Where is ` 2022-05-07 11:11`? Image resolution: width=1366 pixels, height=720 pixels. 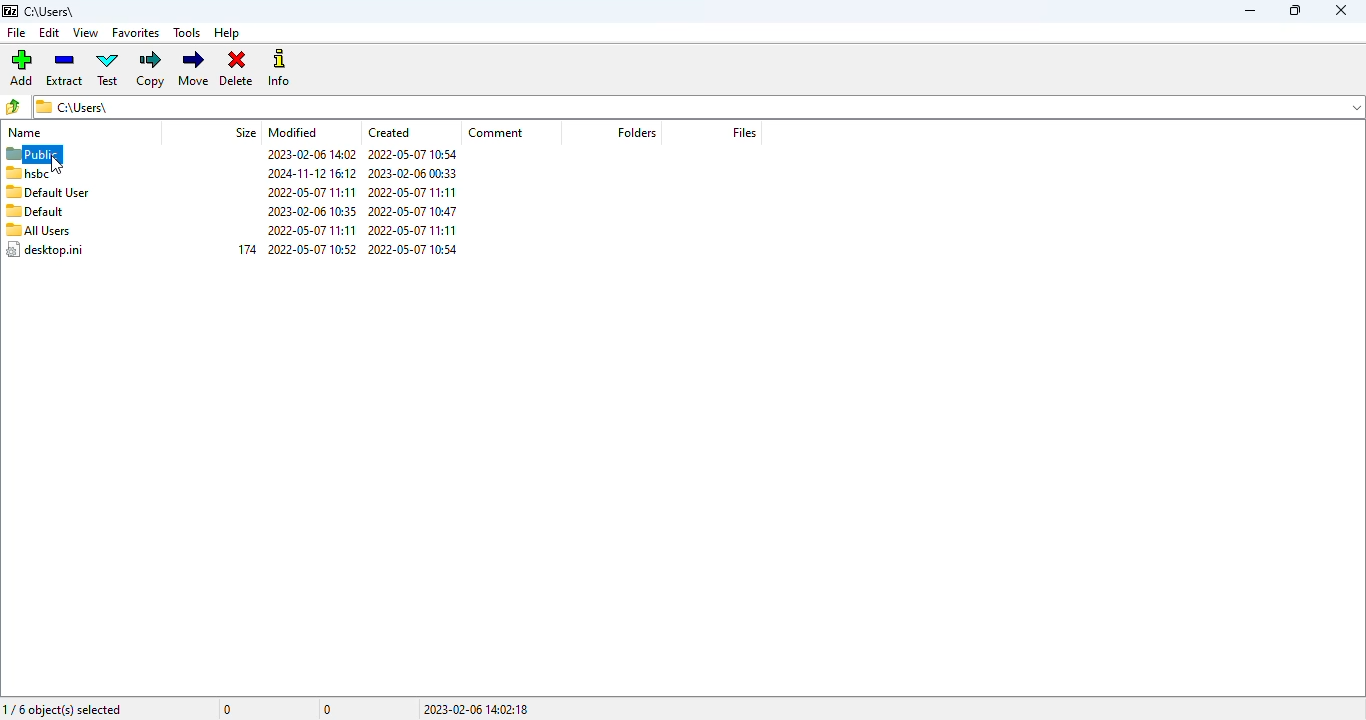  2022-05-07 11:11 is located at coordinates (420, 230).